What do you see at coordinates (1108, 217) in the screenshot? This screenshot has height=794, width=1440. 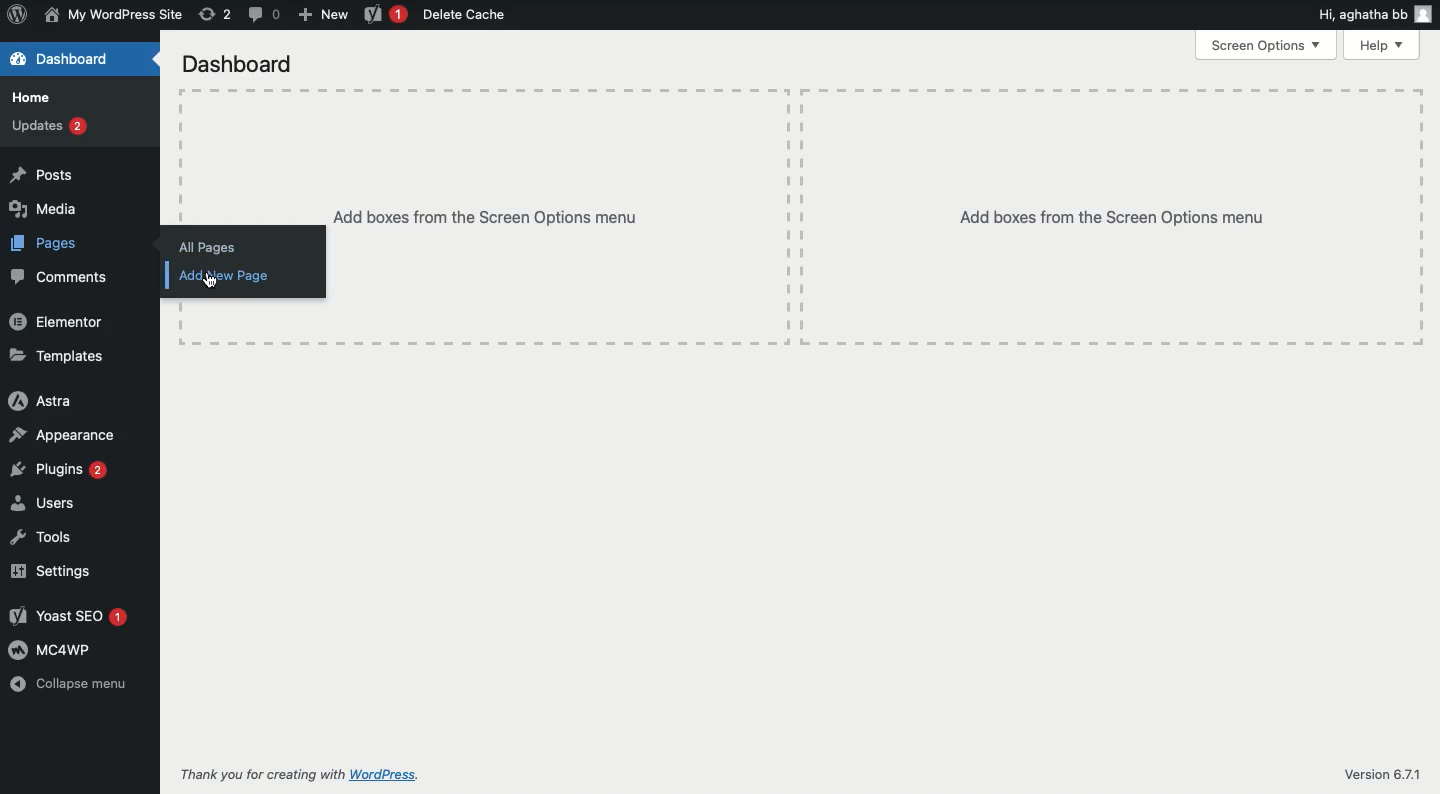 I see `Add boxes from the Screen Options menu` at bounding box center [1108, 217].